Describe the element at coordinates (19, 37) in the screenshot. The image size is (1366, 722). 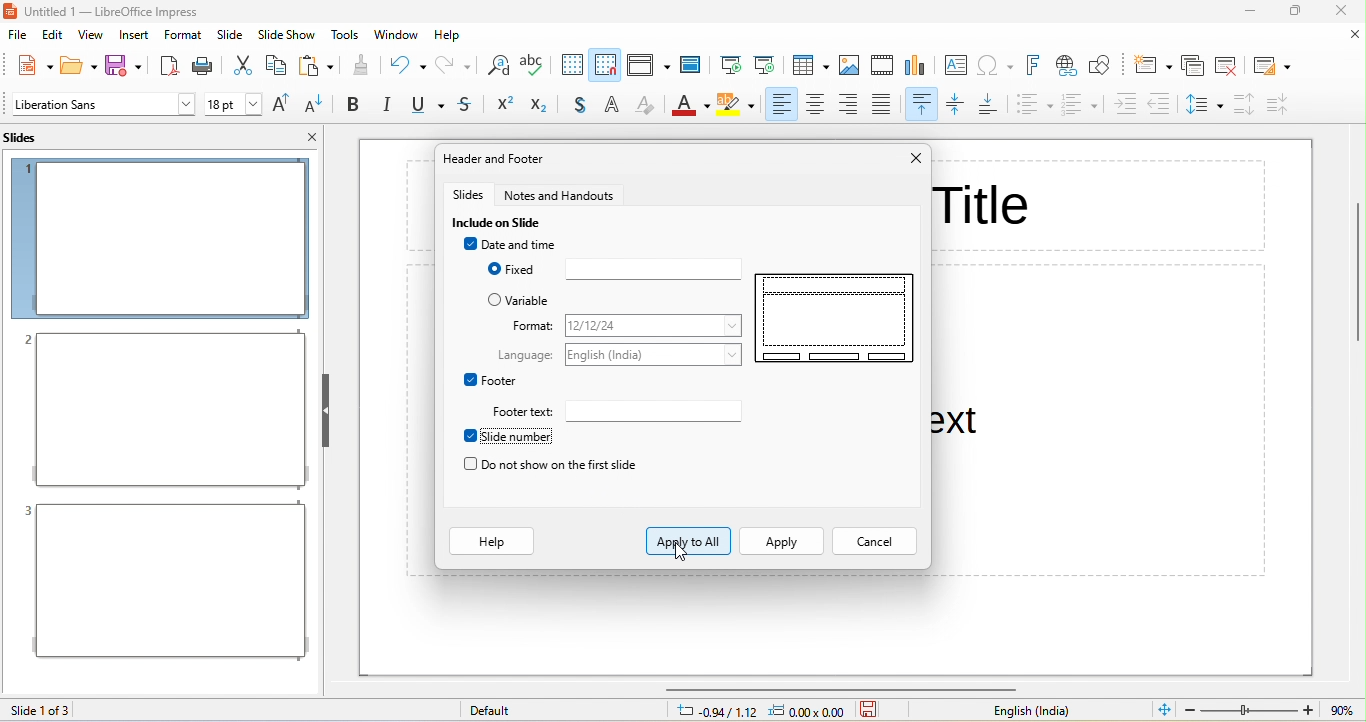
I see `file` at that location.